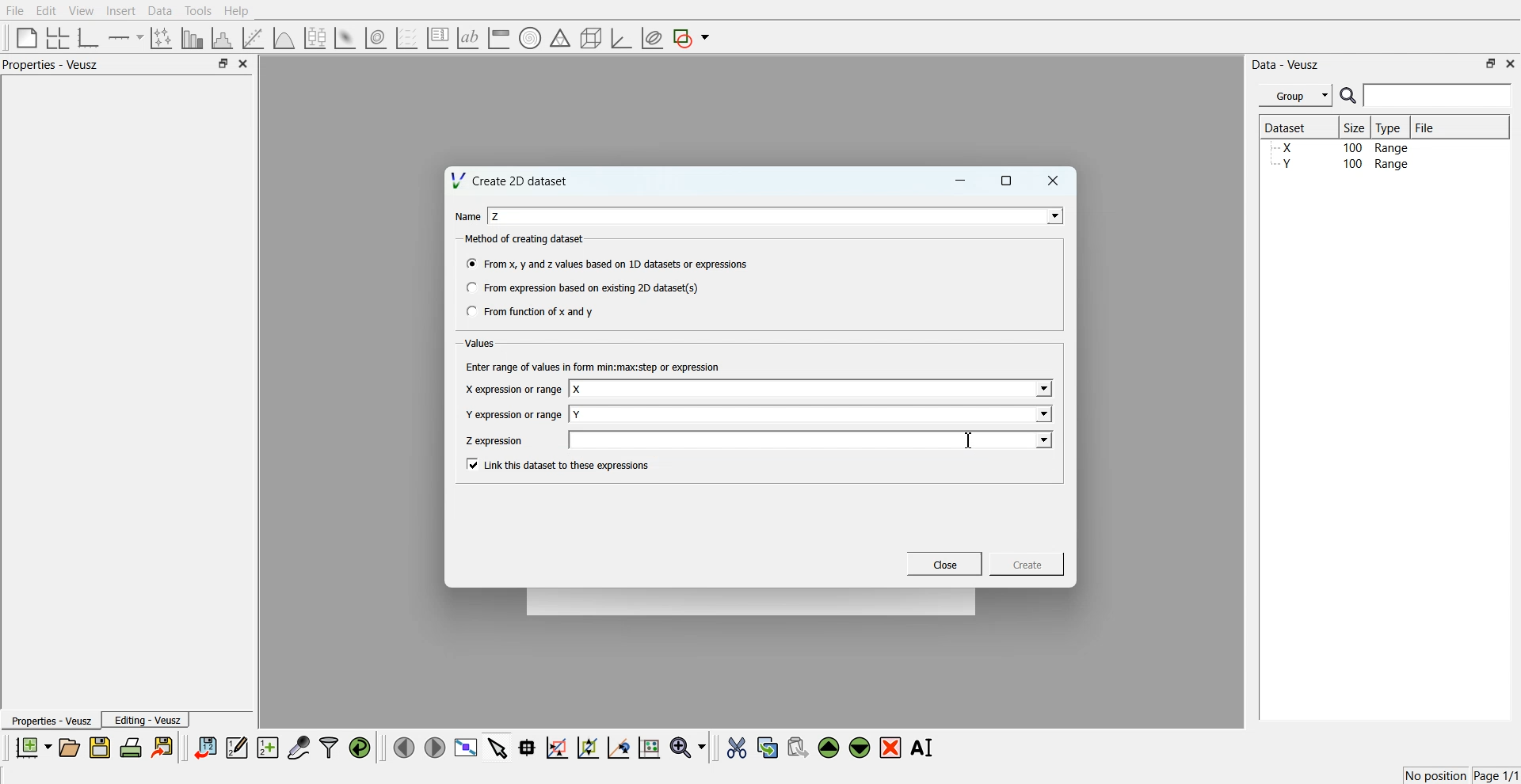  What do you see at coordinates (284, 38) in the screenshot?
I see `3D Function` at bounding box center [284, 38].